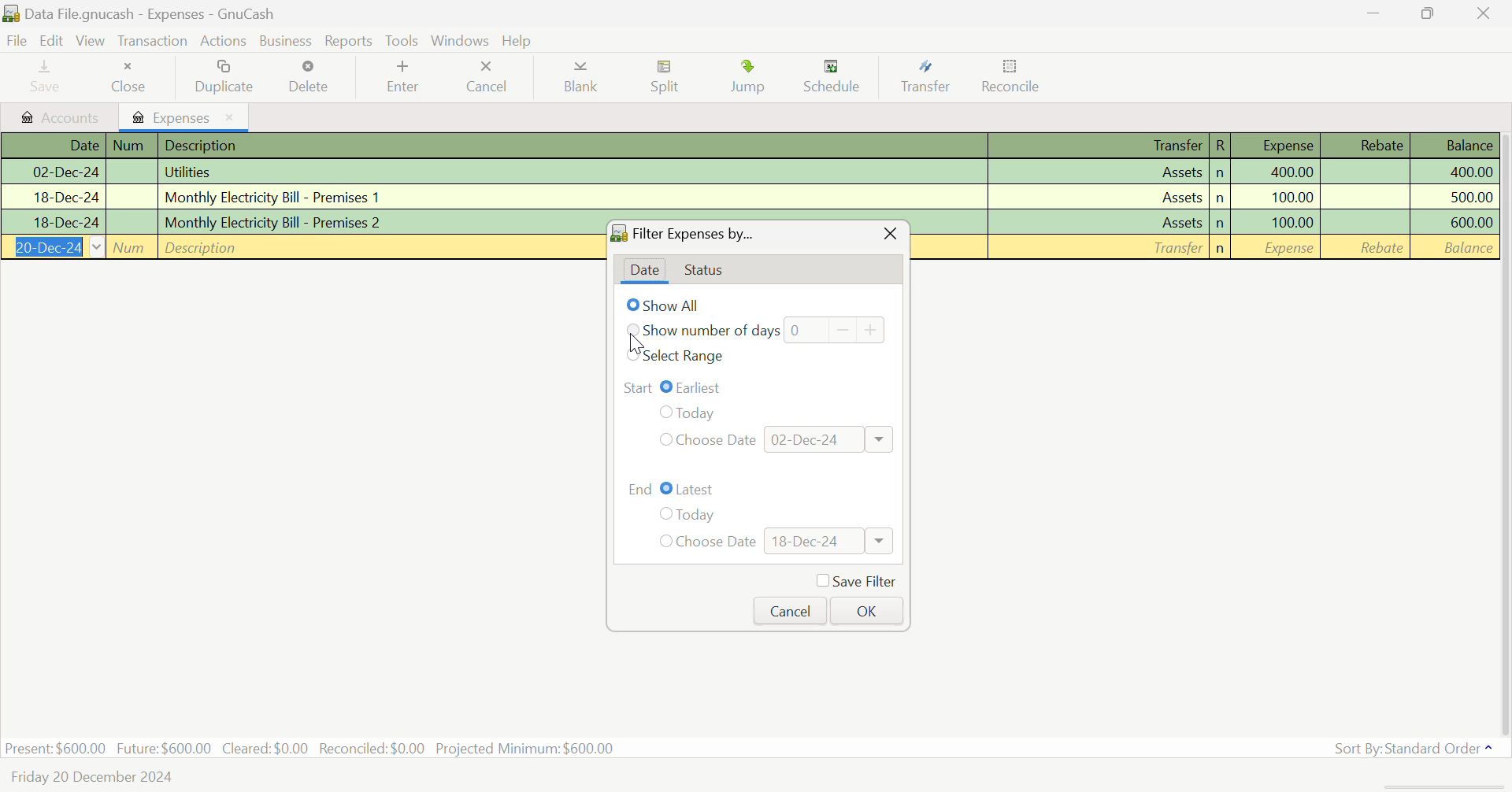 The image size is (1512, 792). I want to click on Projected, so click(524, 748).